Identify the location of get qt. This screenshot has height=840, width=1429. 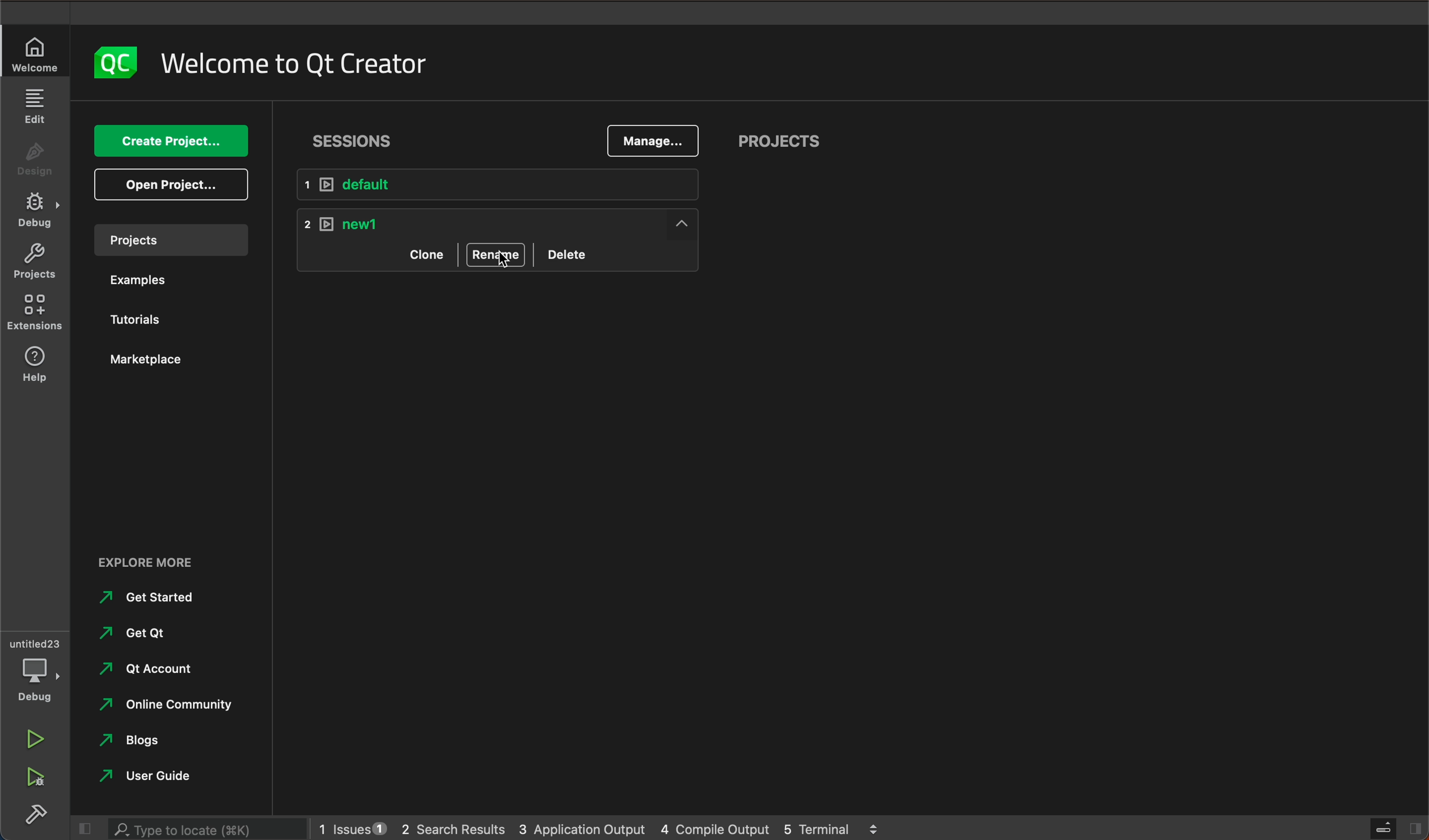
(144, 632).